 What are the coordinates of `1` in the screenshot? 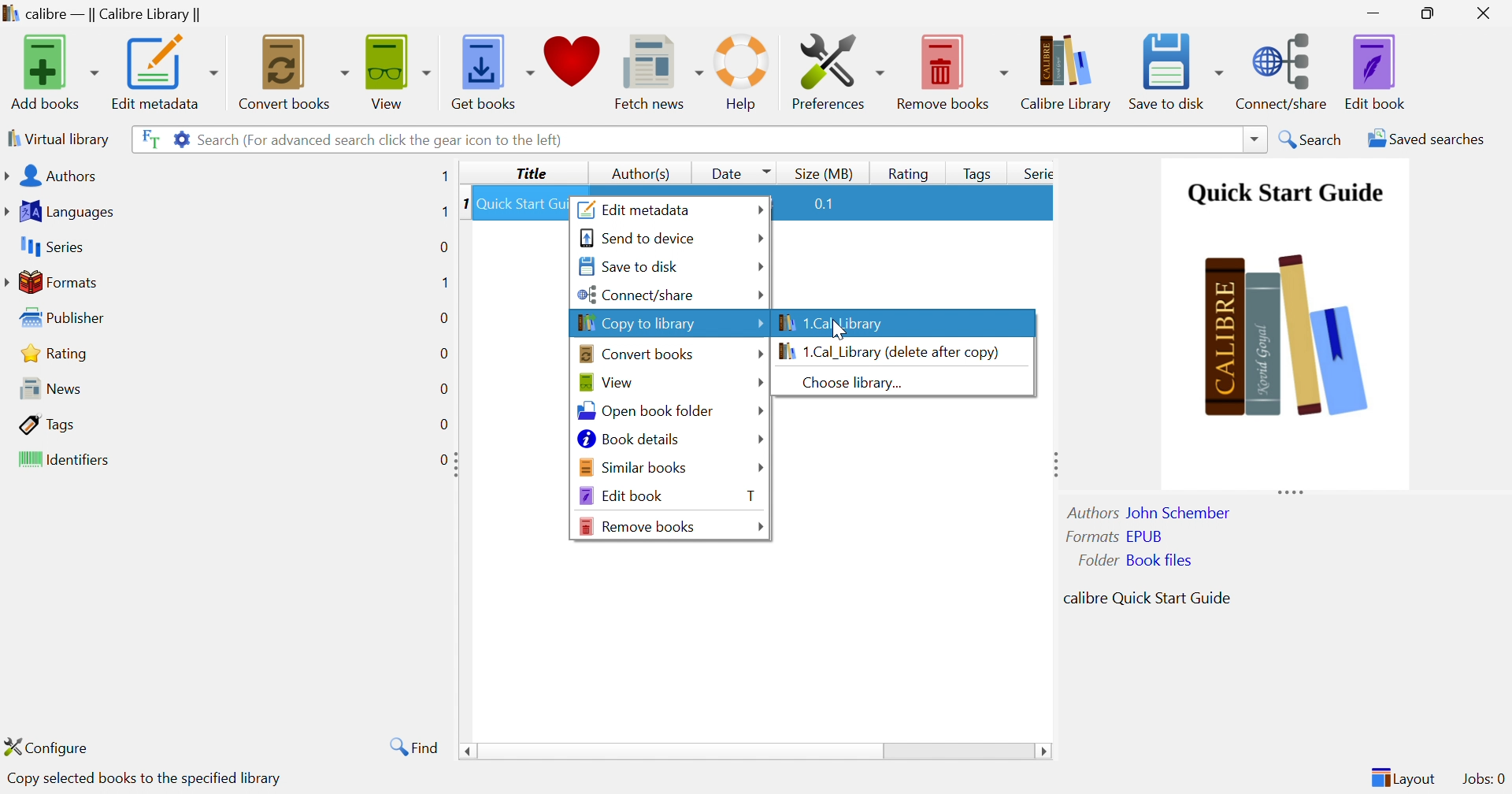 It's located at (444, 281).